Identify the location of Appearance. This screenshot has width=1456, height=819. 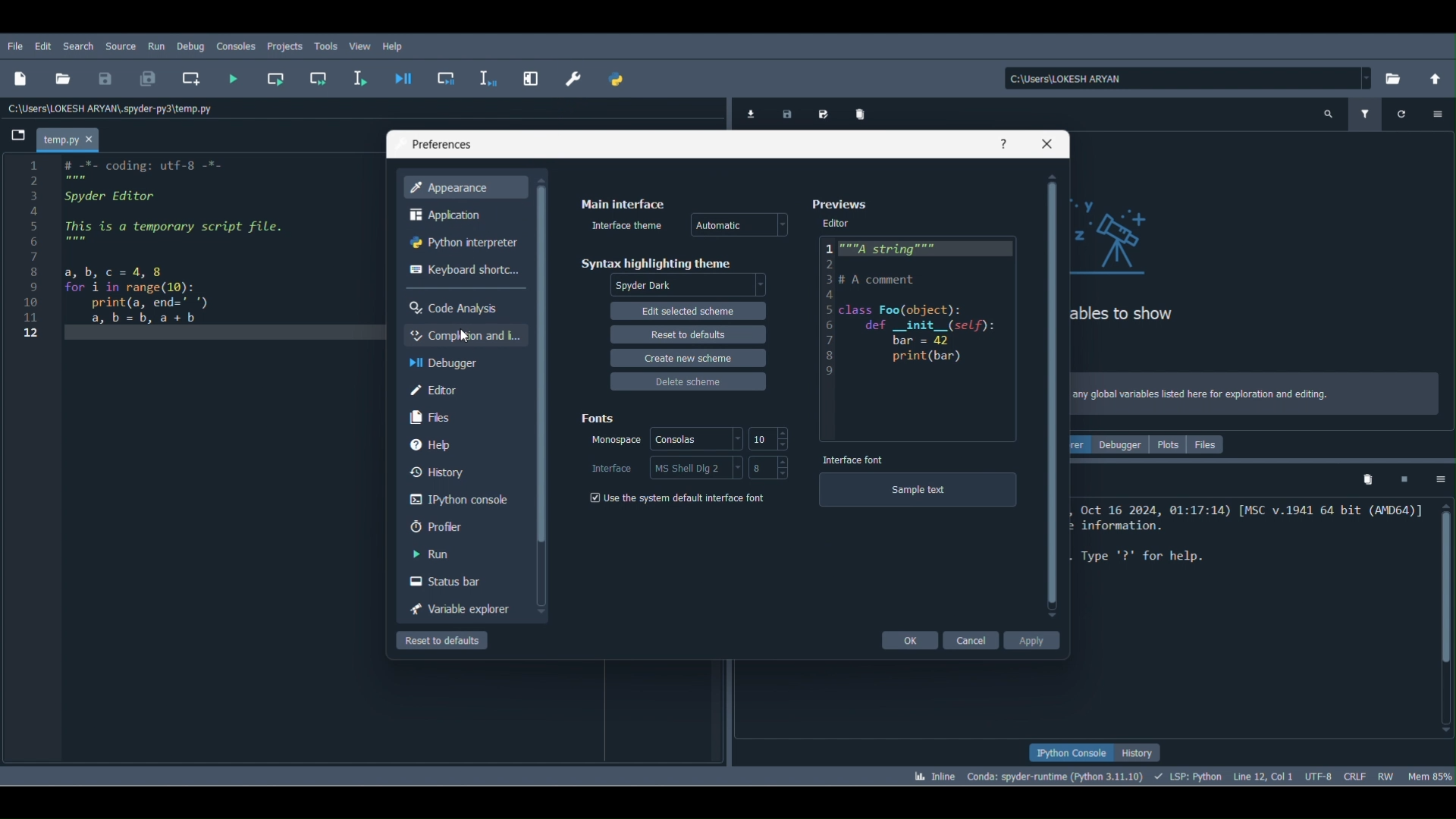
(463, 188).